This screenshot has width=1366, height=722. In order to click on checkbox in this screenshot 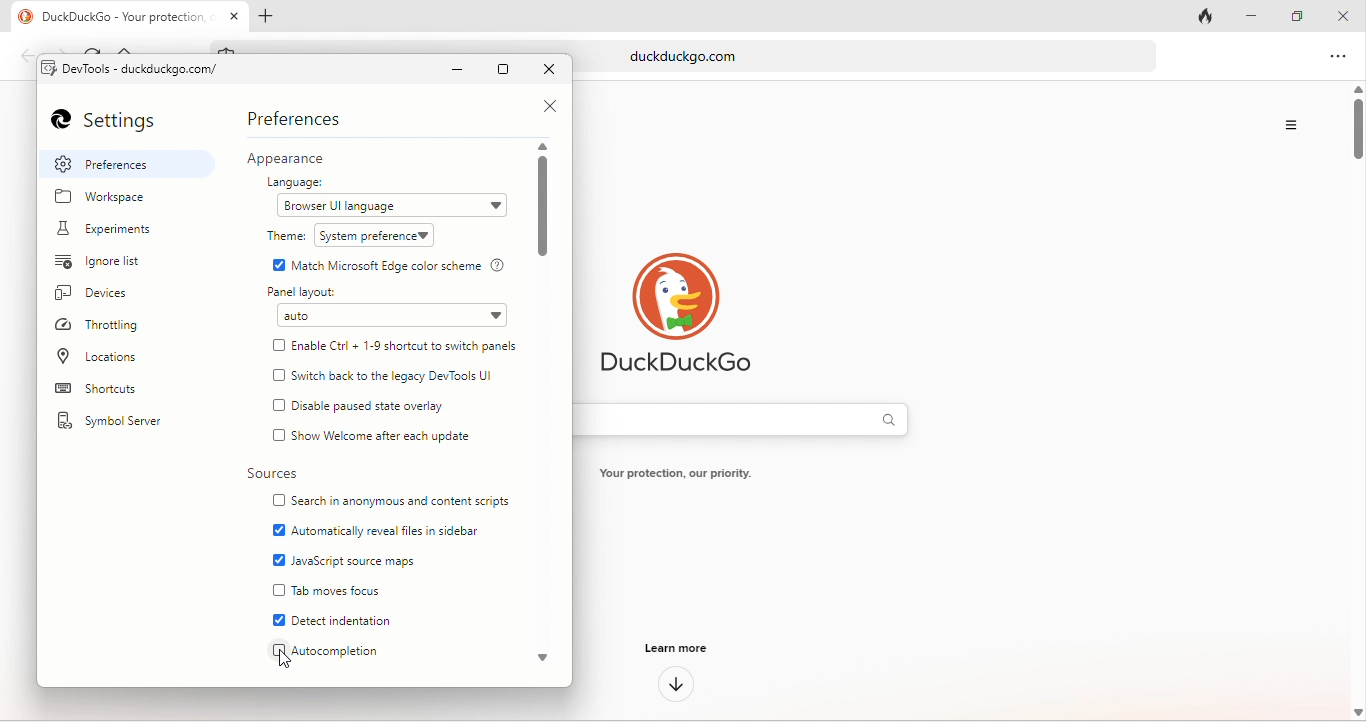, I will do `click(279, 590)`.